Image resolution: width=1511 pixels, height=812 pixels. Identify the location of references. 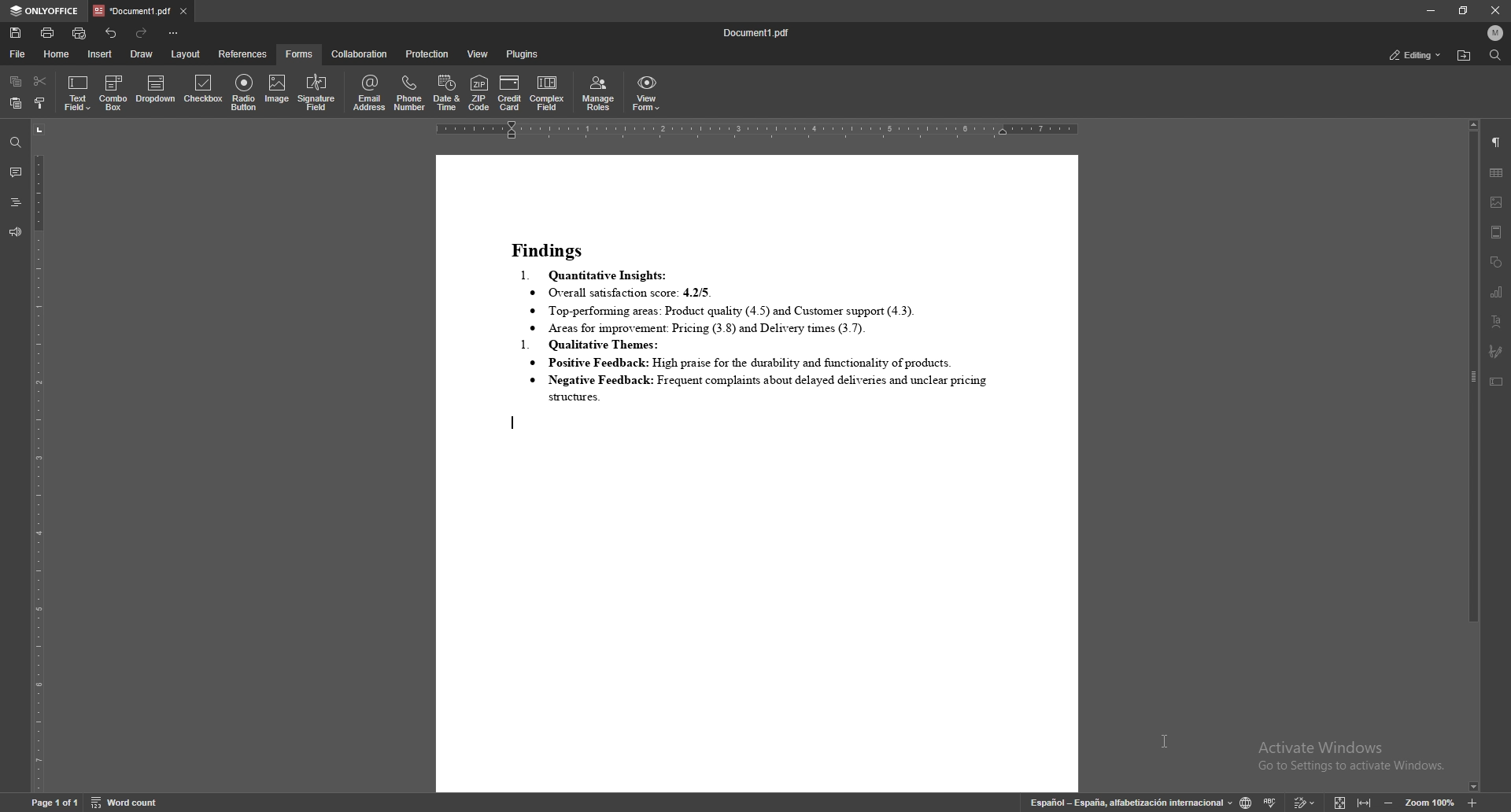
(244, 54).